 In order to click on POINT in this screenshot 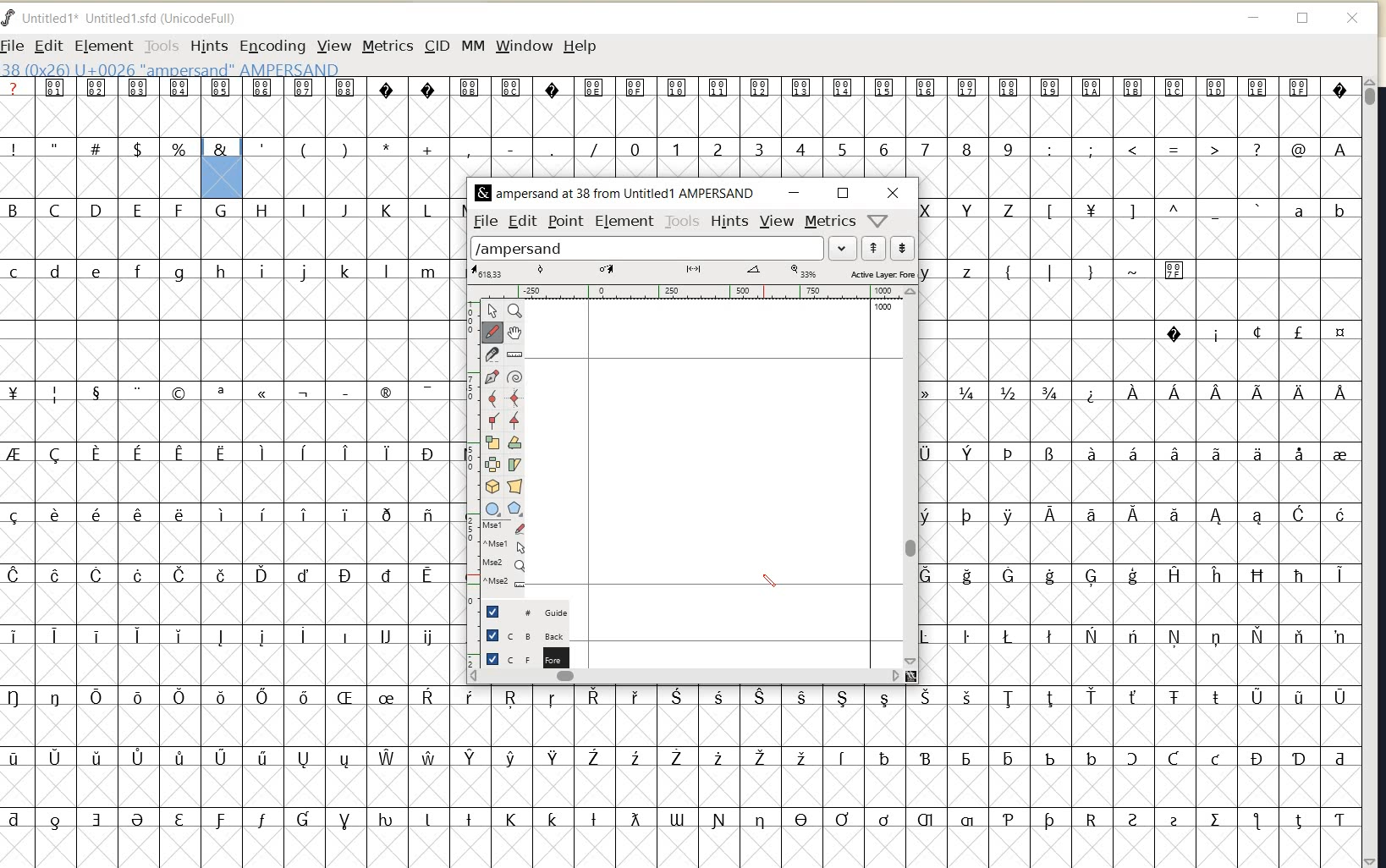, I will do `click(568, 222)`.